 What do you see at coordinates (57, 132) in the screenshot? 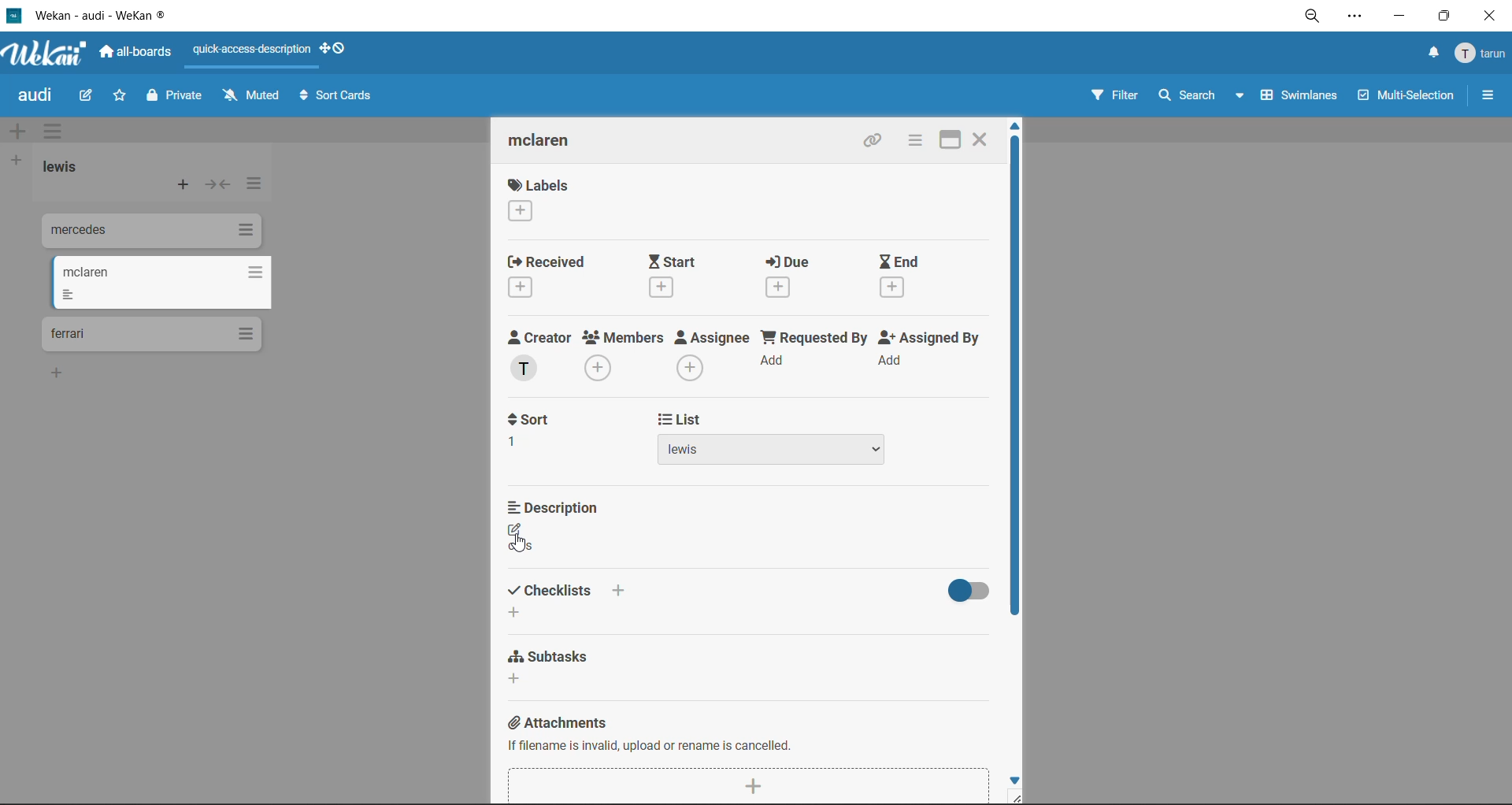
I see `swimlane actions` at bounding box center [57, 132].